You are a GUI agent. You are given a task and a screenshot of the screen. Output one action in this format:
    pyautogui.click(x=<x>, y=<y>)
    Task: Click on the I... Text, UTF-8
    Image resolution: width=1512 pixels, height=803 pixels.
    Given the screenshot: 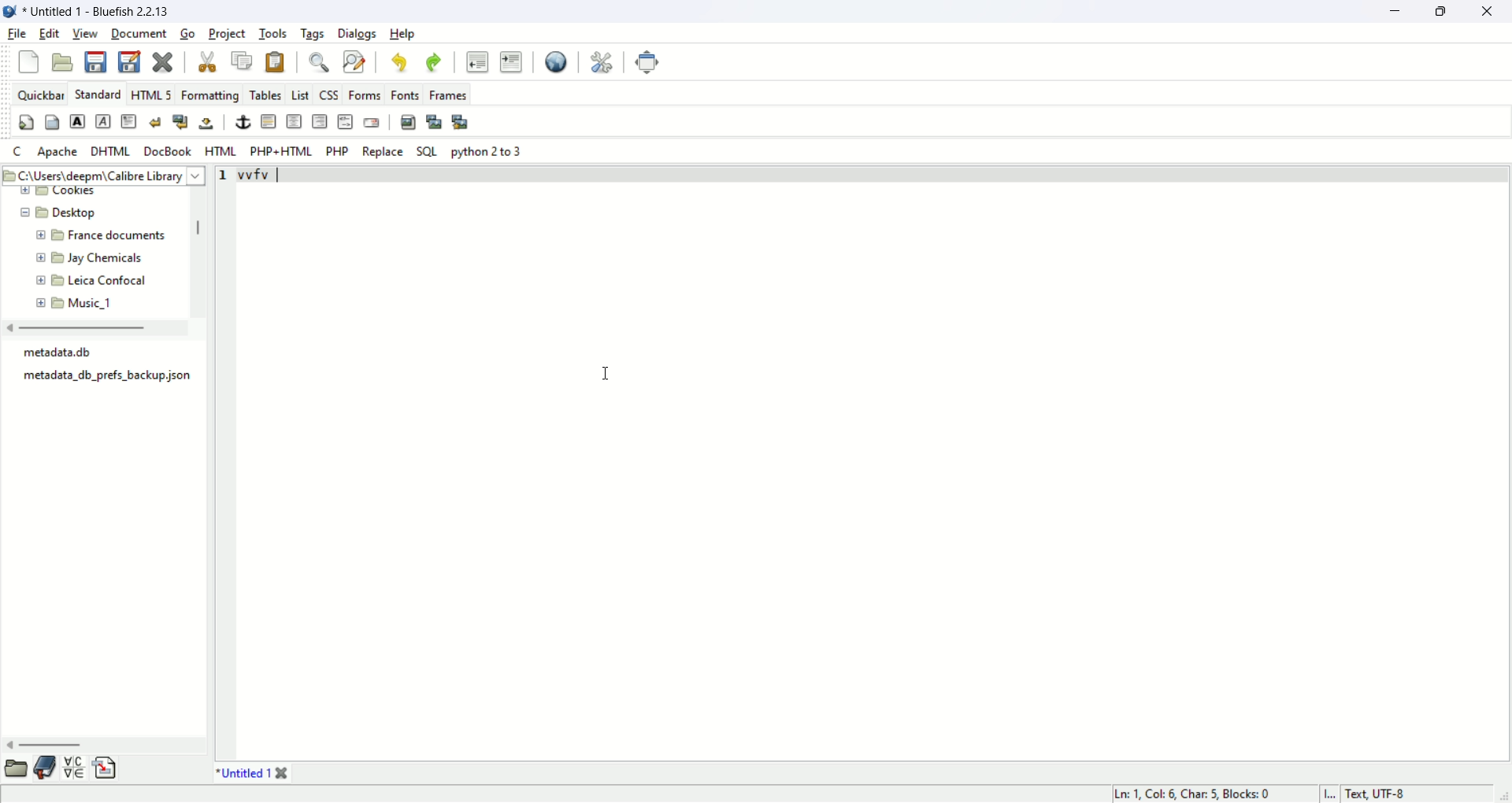 What is the action you would take?
    pyautogui.click(x=1369, y=794)
    